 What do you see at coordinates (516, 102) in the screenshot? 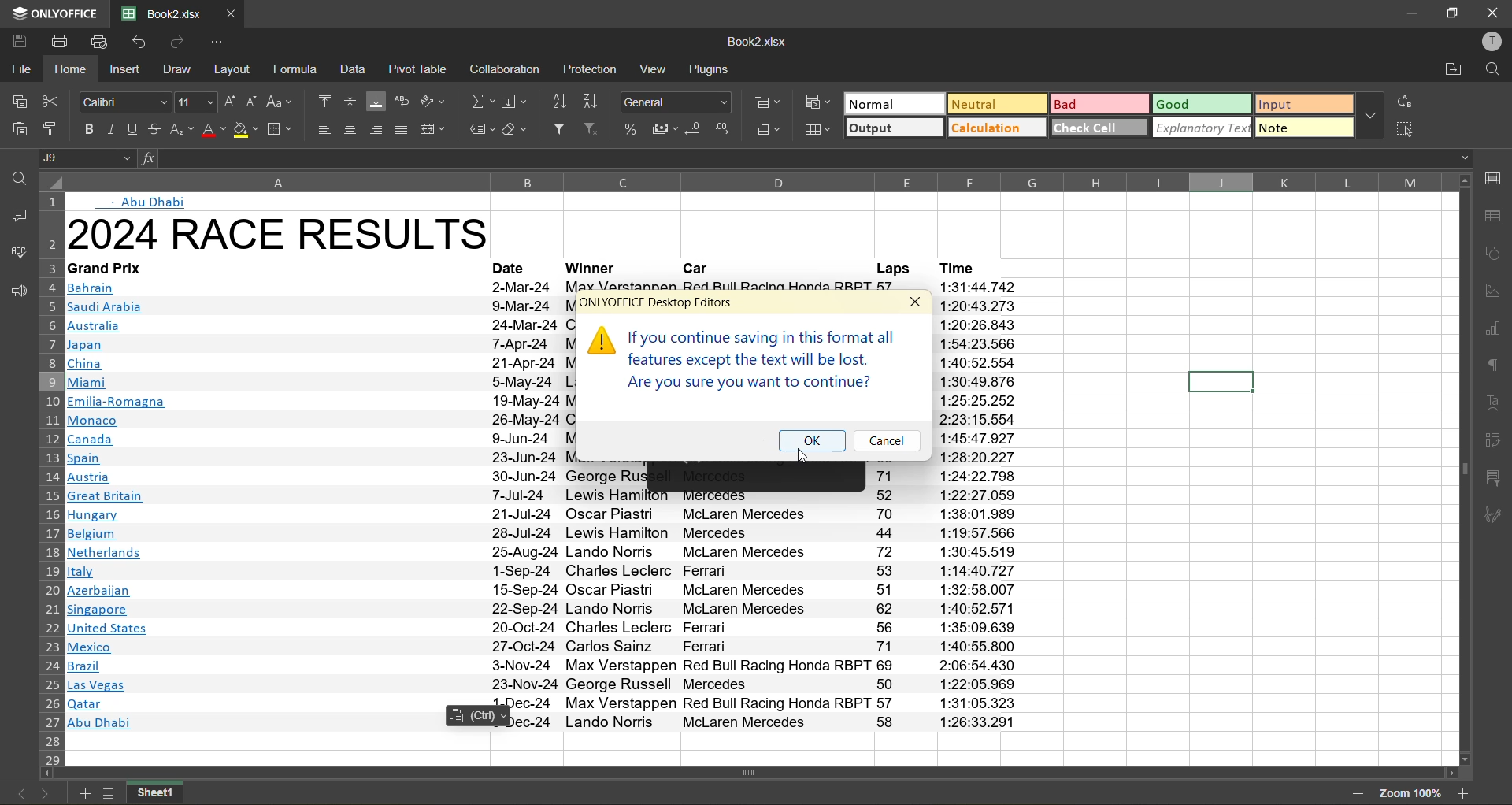
I see `field` at bounding box center [516, 102].